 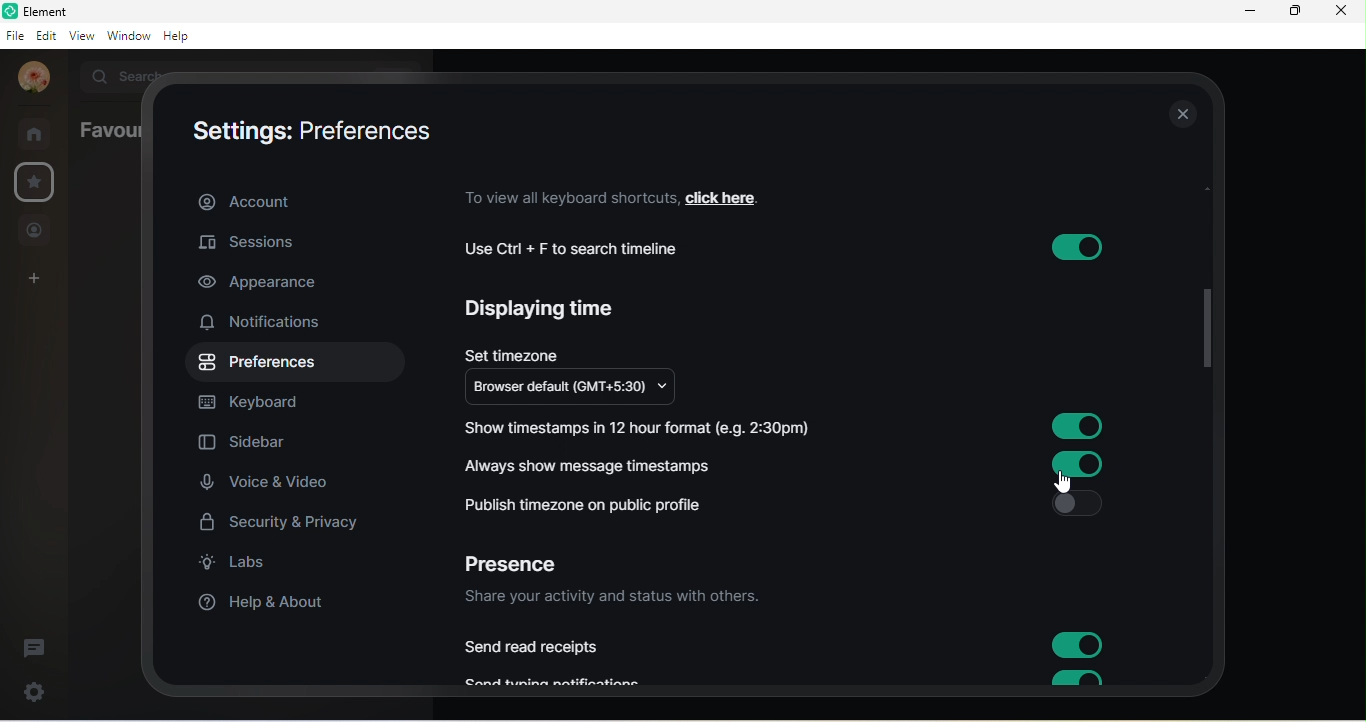 What do you see at coordinates (567, 197) in the screenshot?
I see `to view all keyboard shortcuts,` at bounding box center [567, 197].